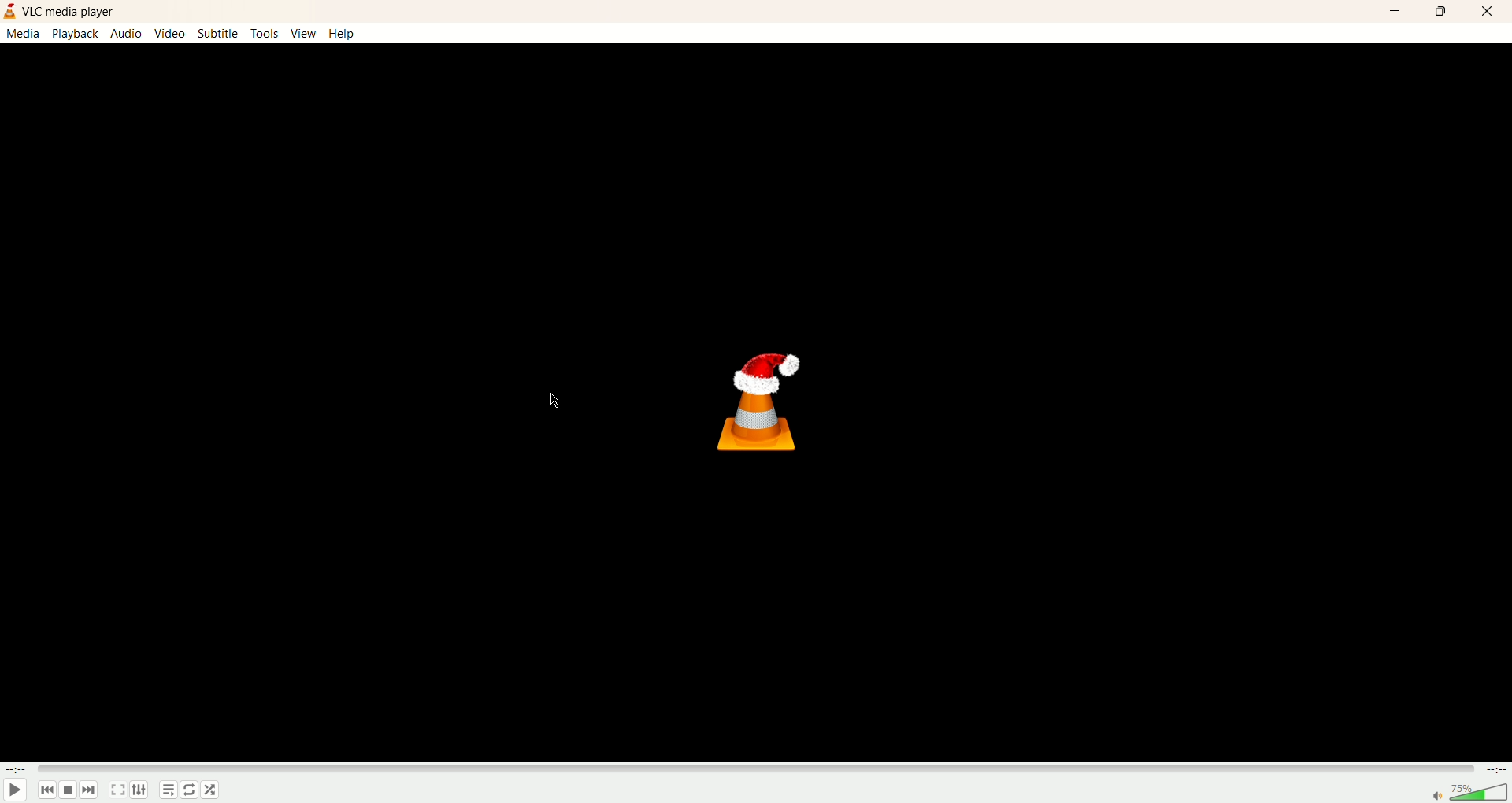 This screenshot has width=1512, height=803. Describe the element at coordinates (754, 769) in the screenshot. I see `progress bar` at that location.